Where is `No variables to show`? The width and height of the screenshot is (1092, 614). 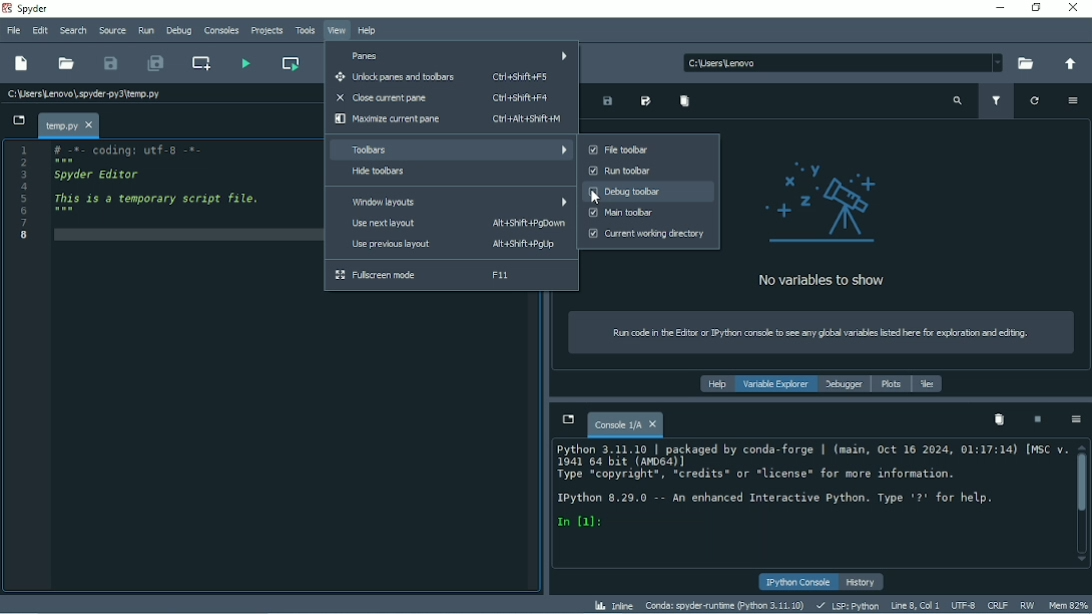 No variables to show is located at coordinates (820, 223).